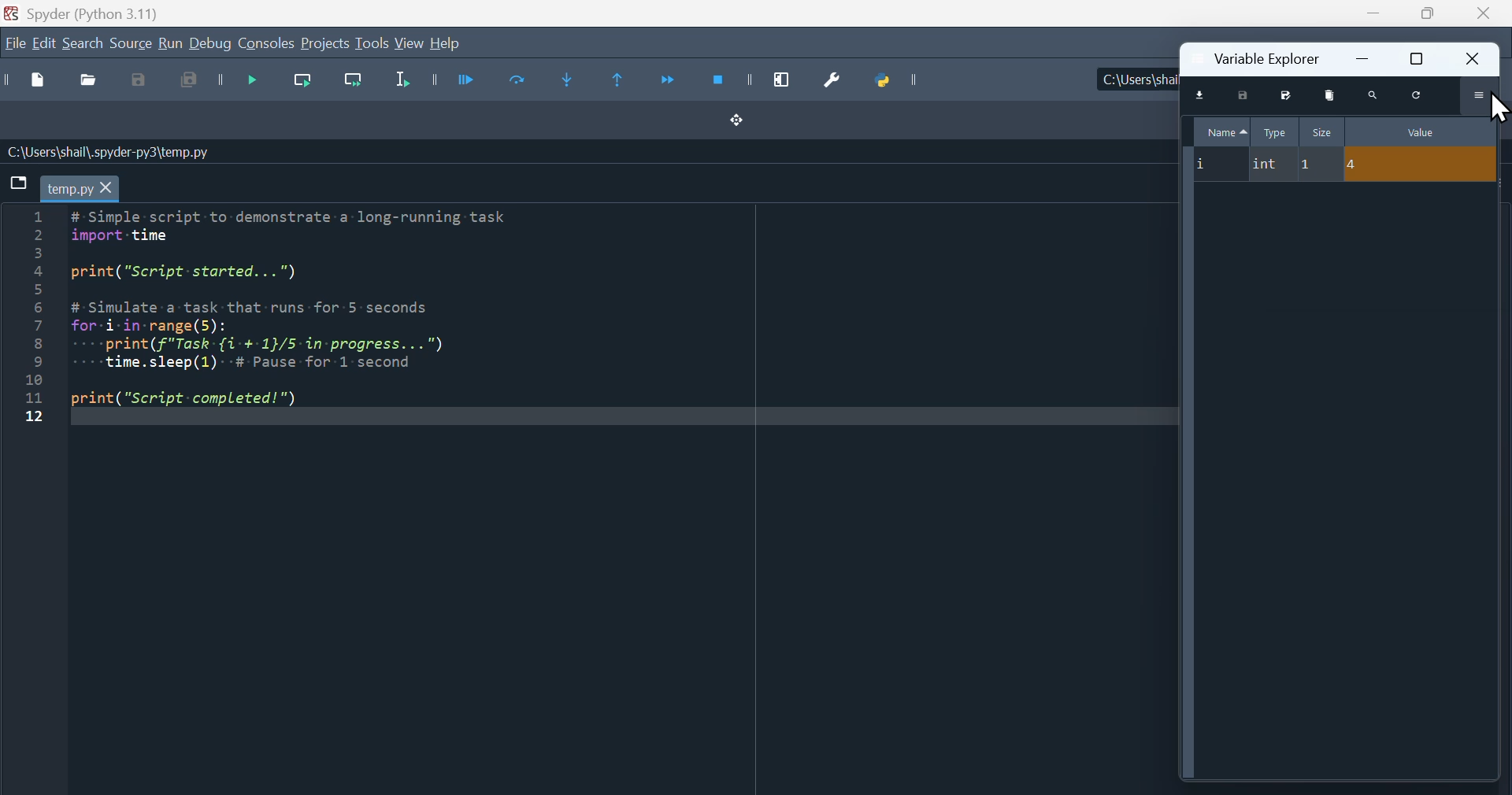  What do you see at coordinates (1417, 58) in the screenshot?
I see `restore` at bounding box center [1417, 58].